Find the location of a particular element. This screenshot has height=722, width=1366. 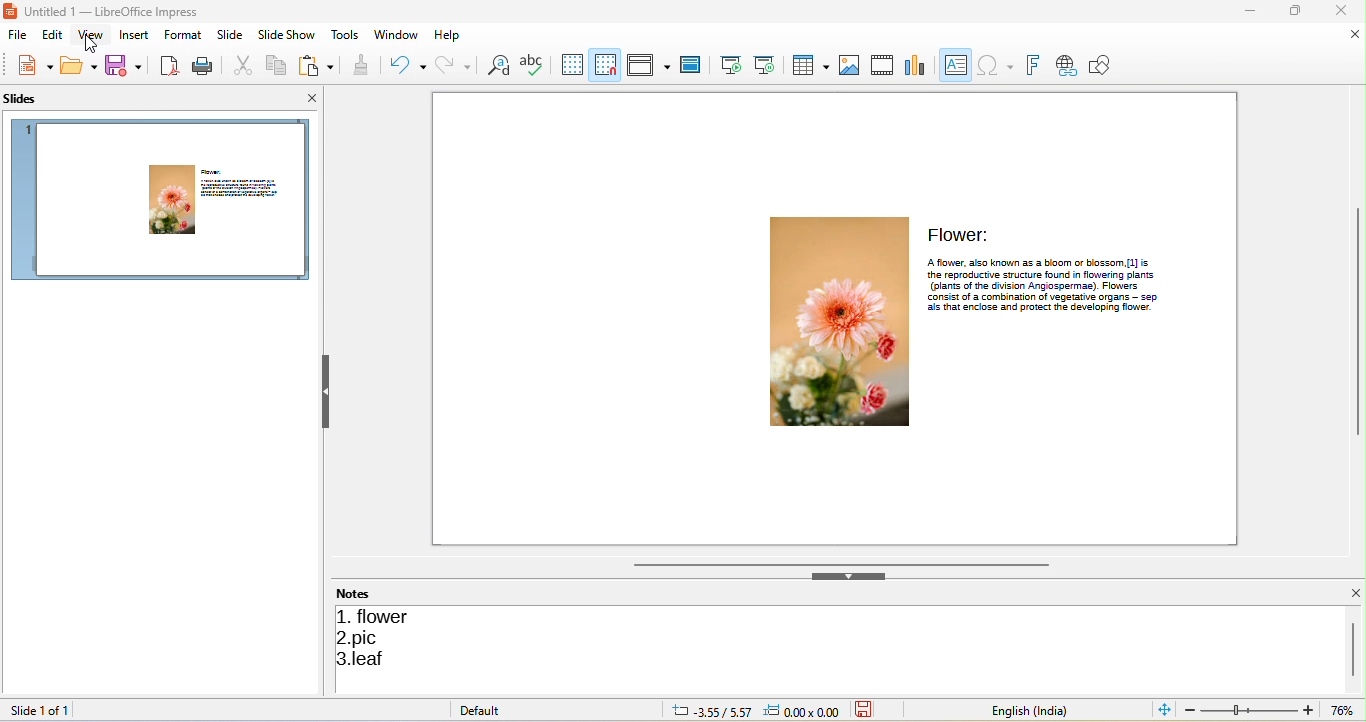

 Untitled 1 — LibreOffice Impress is located at coordinates (105, 11).